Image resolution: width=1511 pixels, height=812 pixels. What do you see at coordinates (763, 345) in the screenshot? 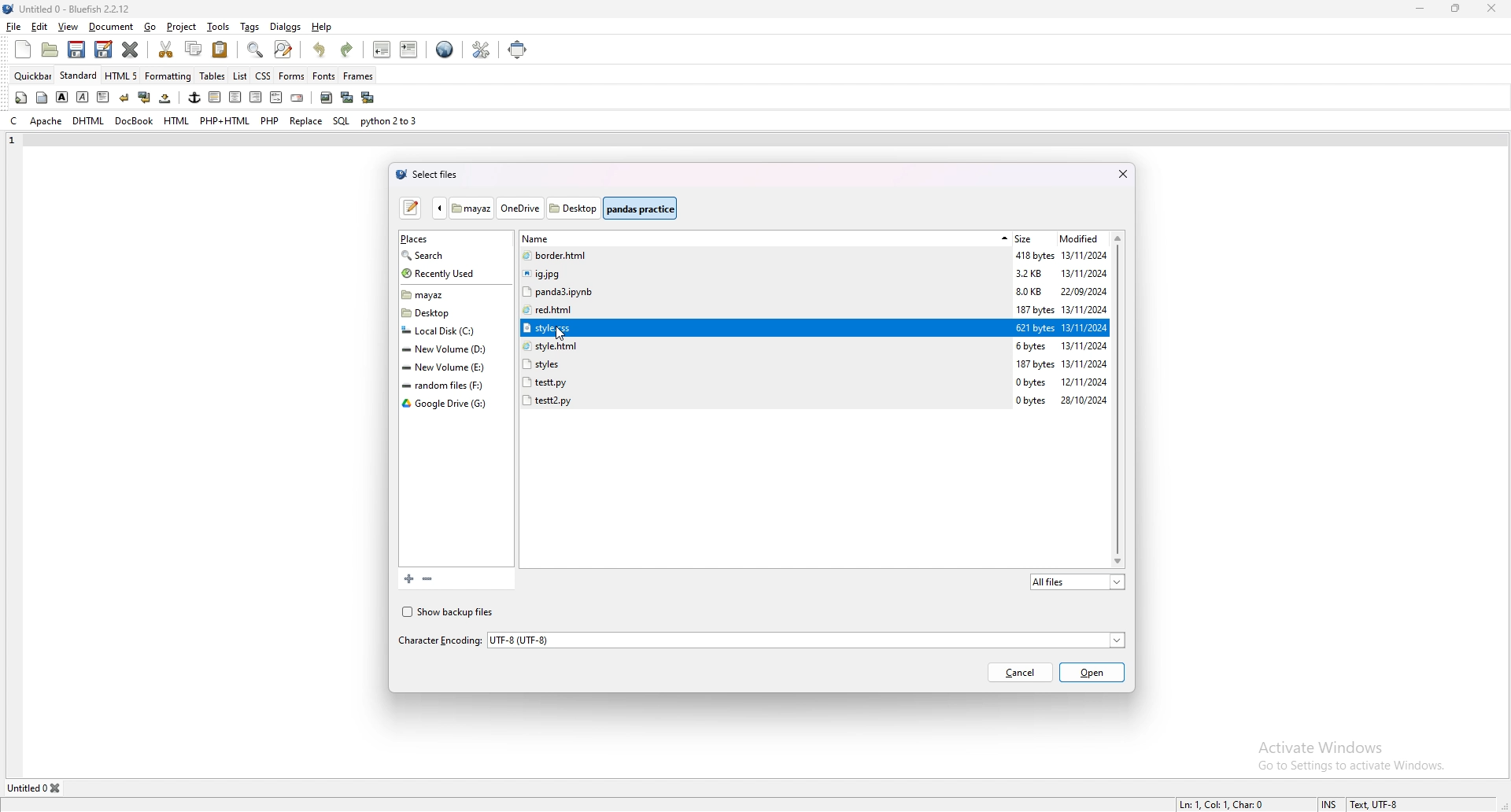
I see `file` at bounding box center [763, 345].